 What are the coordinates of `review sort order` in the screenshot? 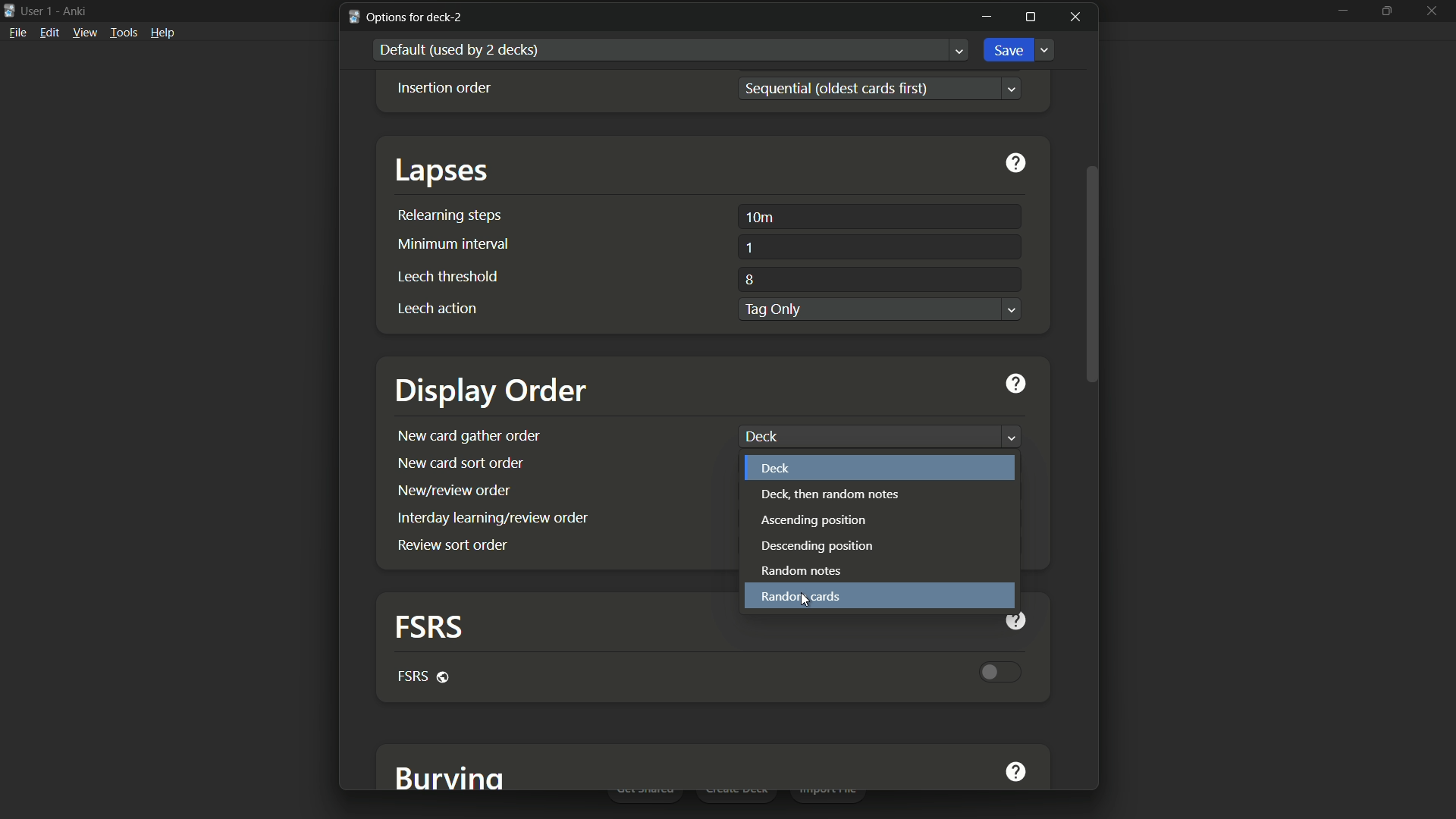 It's located at (452, 544).